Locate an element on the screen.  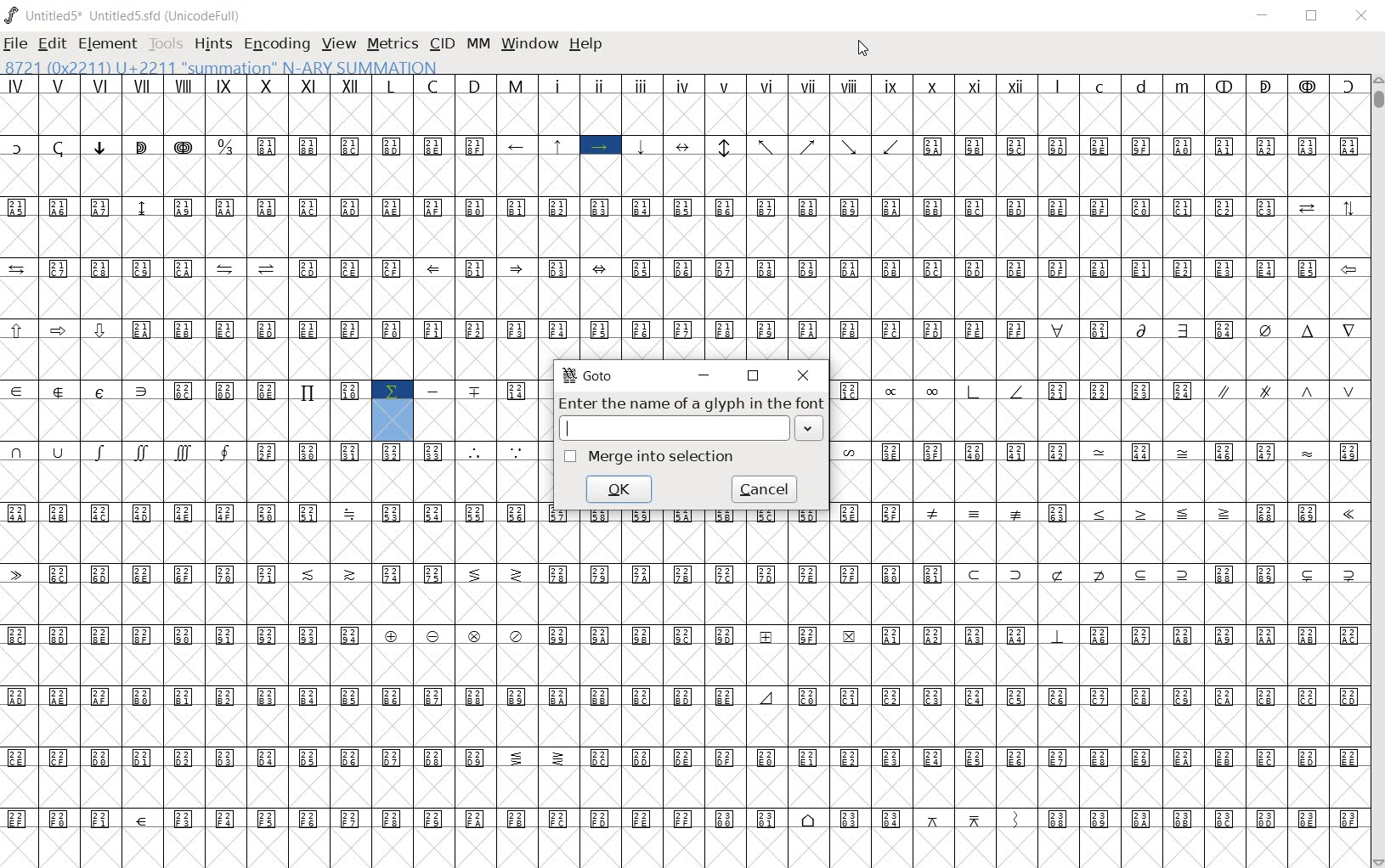
special symbols is located at coordinates (683, 573).